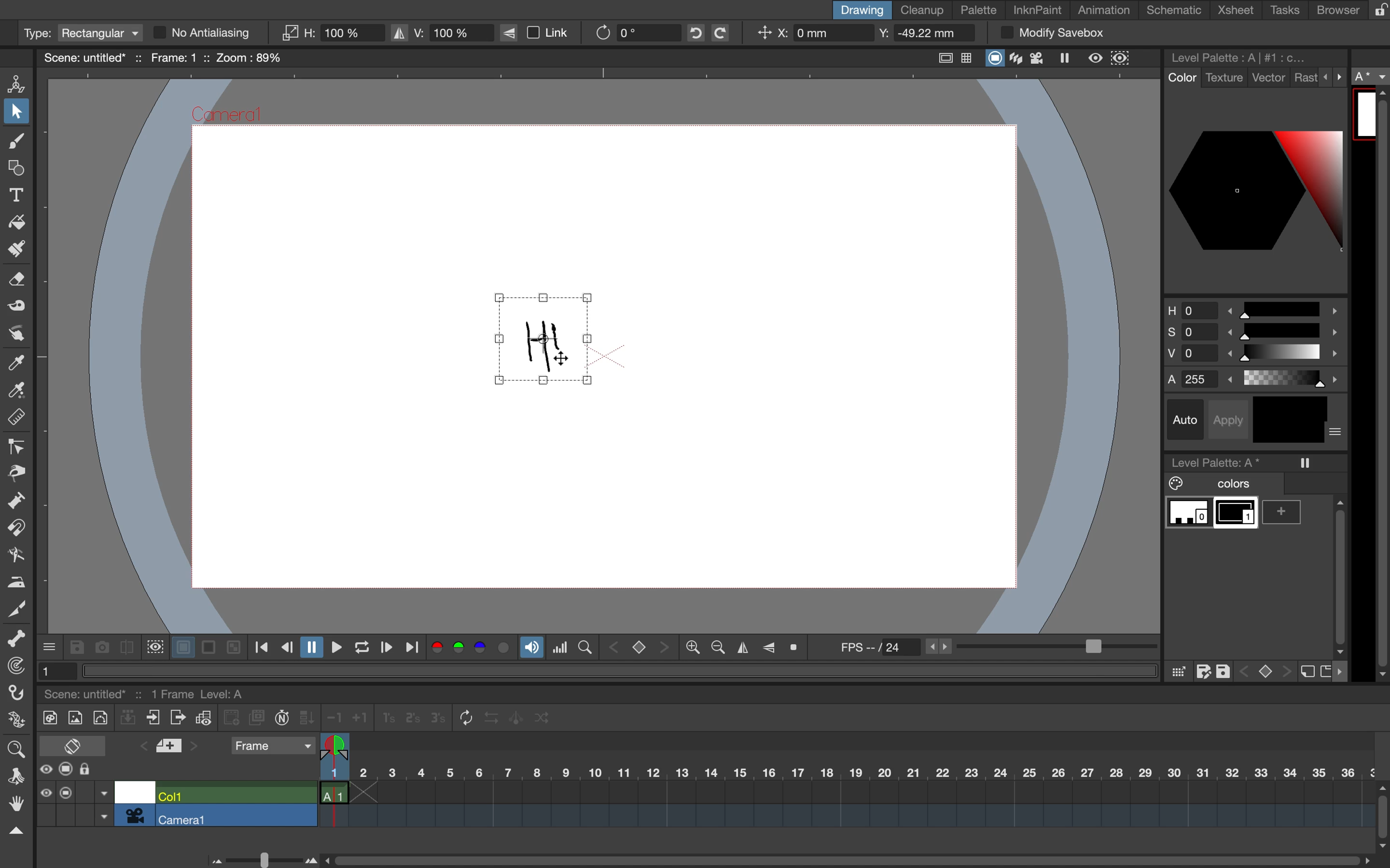 The height and width of the screenshot is (868, 1390). What do you see at coordinates (1177, 672) in the screenshot?
I see `click and drag color palaette` at bounding box center [1177, 672].